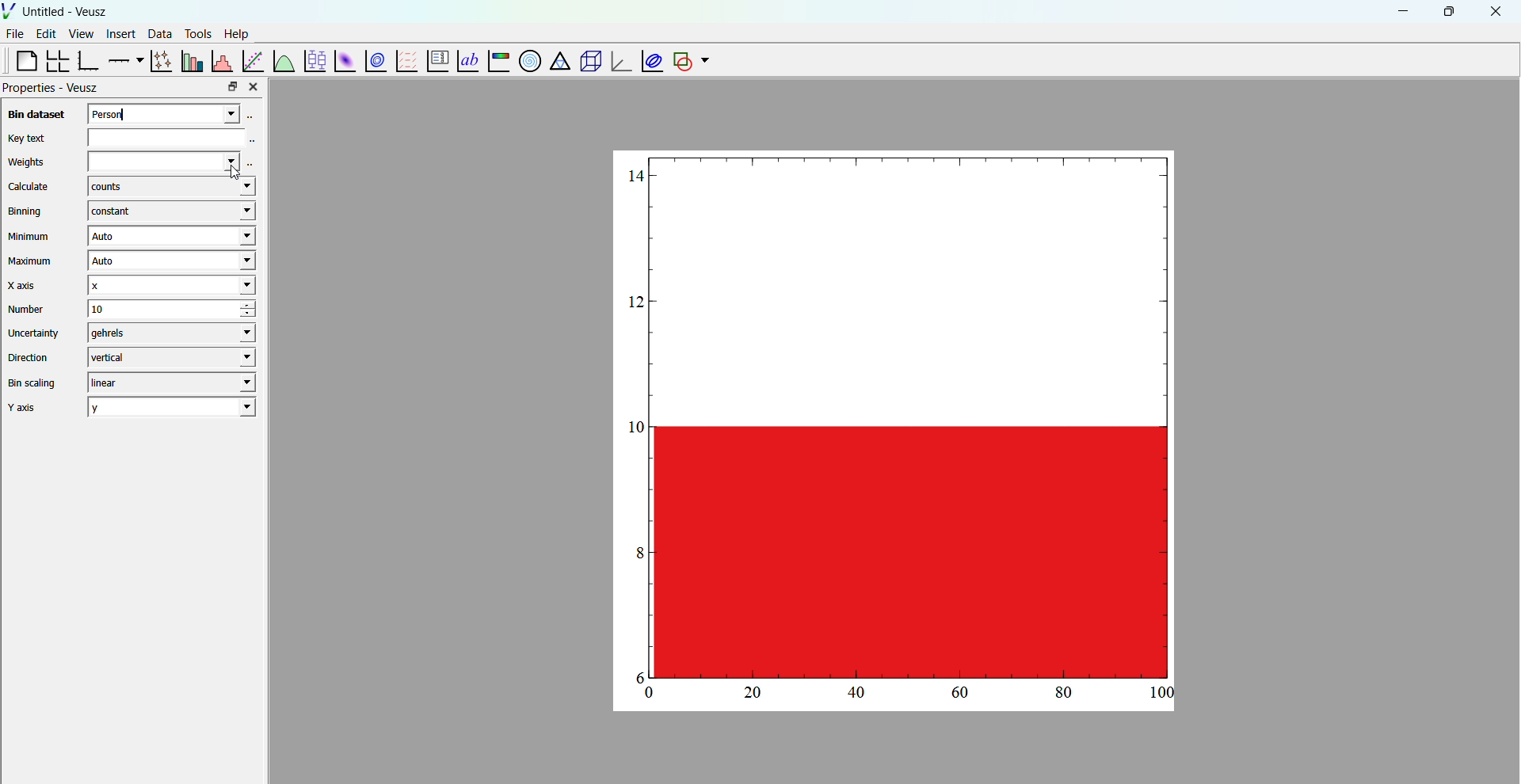  I want to click on maximize, so click(1447, 10).